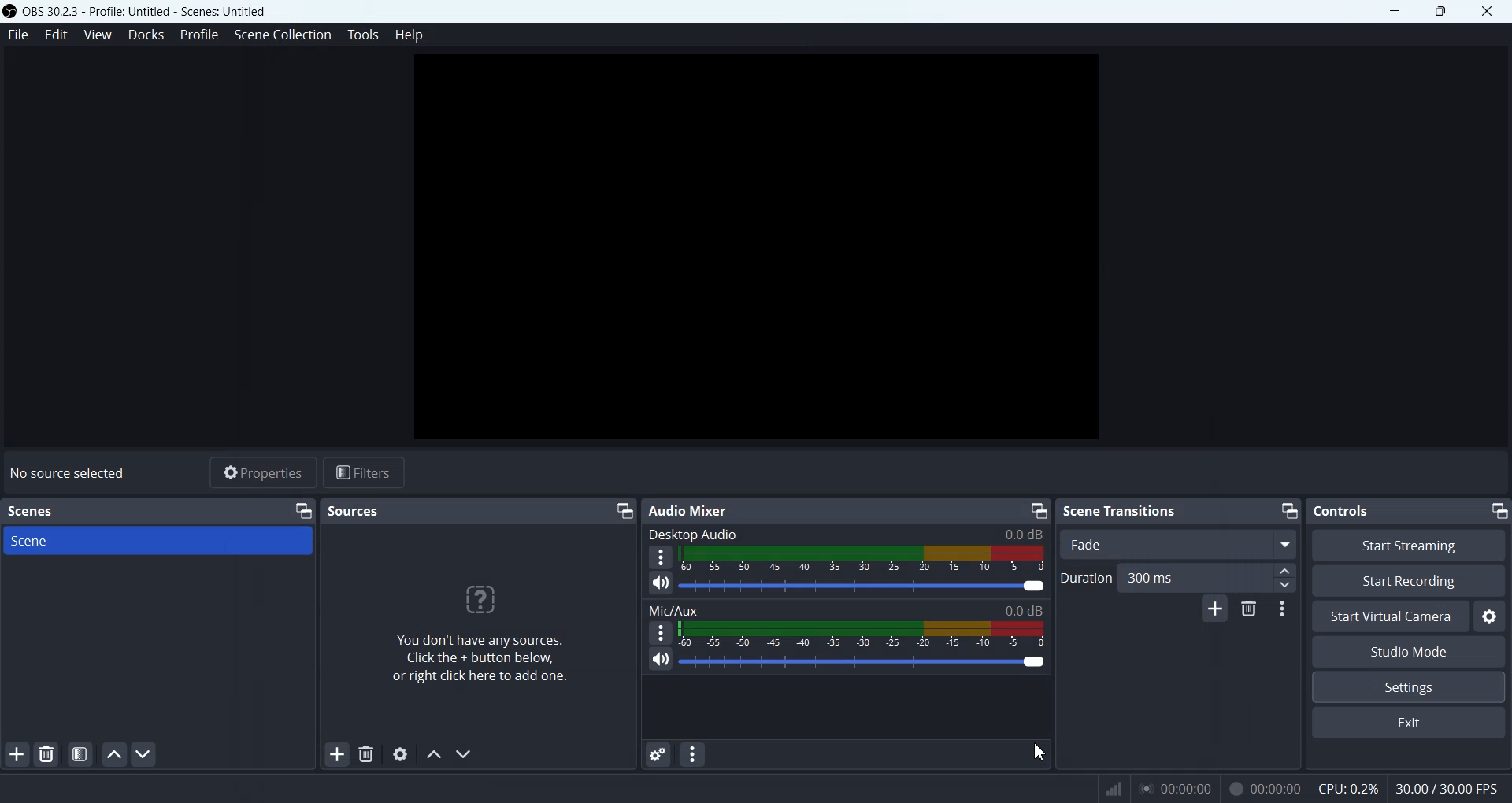 This screenshot has width=1512, height=803. What do you see at coordinates (1349, 510) in the screenshot?
I see `Controls` at bounding box center [1349, 510].